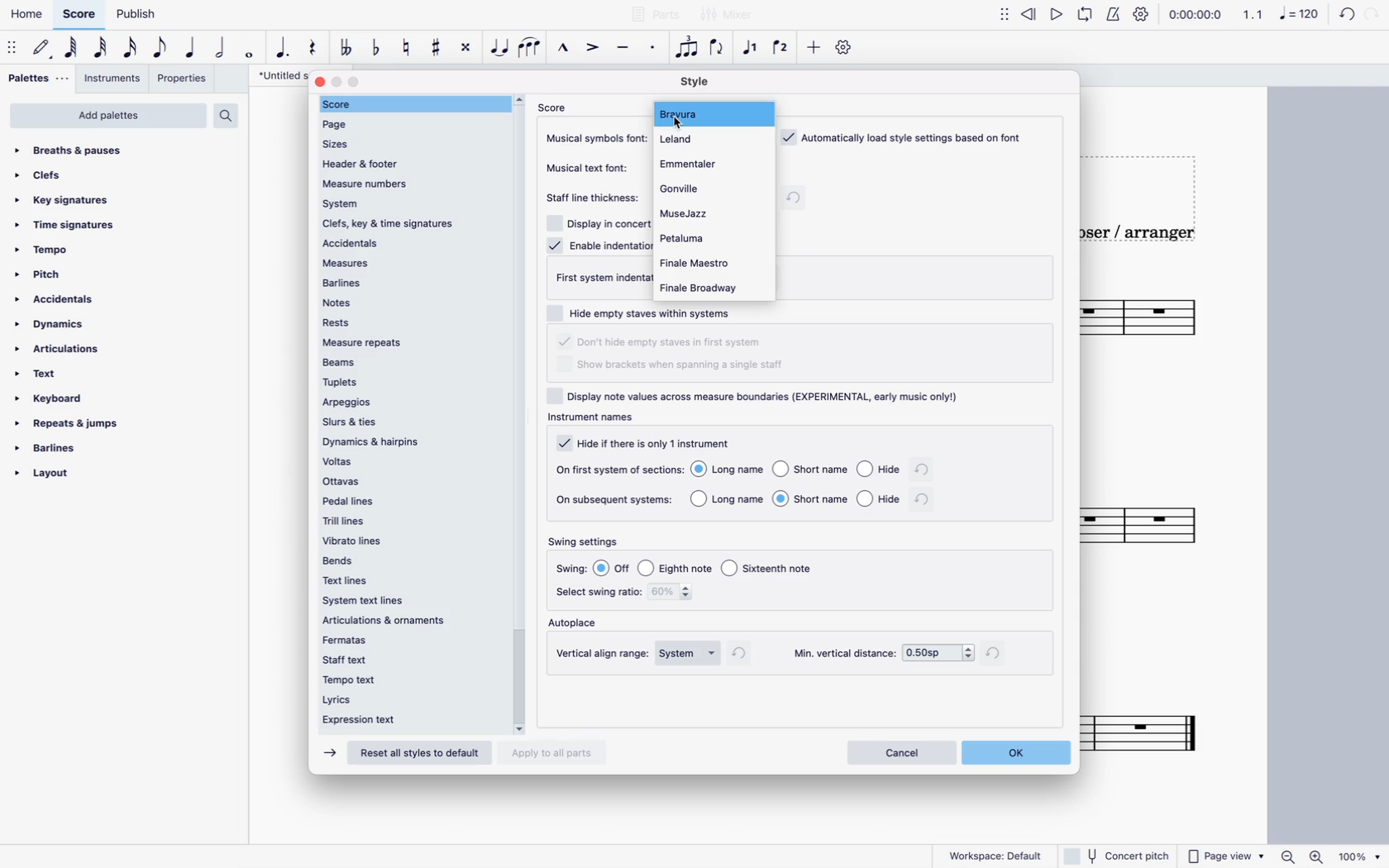 The height and width of the screenshot is (868, 1389). Describe the element at coordinates (53, 450) in the screenshot. I see `barlines` at that location.